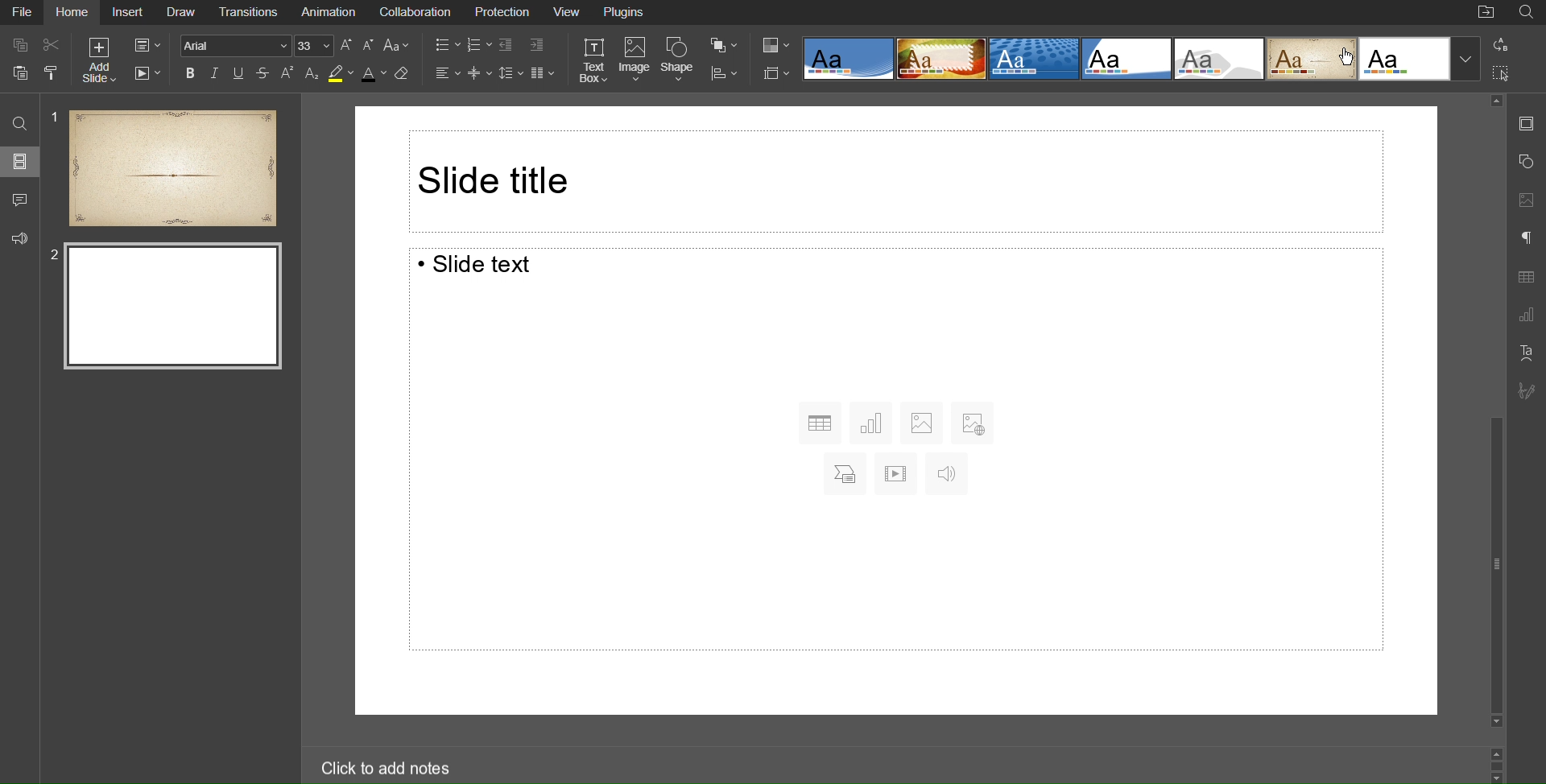 This screenshot has width=1546, height=784. I want to click on Text Box, so click(596, 61).